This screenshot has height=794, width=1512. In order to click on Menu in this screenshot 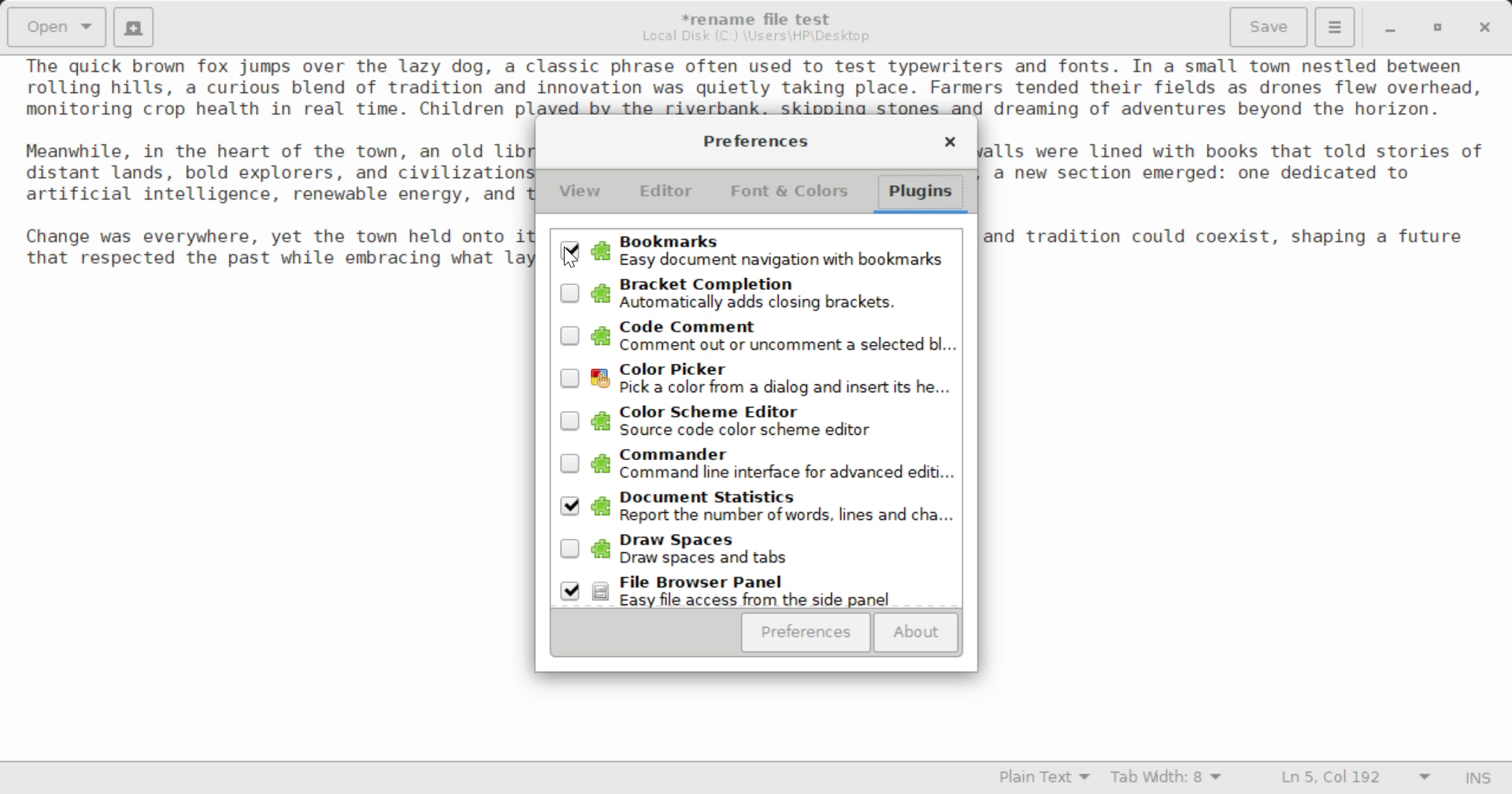, I will do `click(1334, 25)`.